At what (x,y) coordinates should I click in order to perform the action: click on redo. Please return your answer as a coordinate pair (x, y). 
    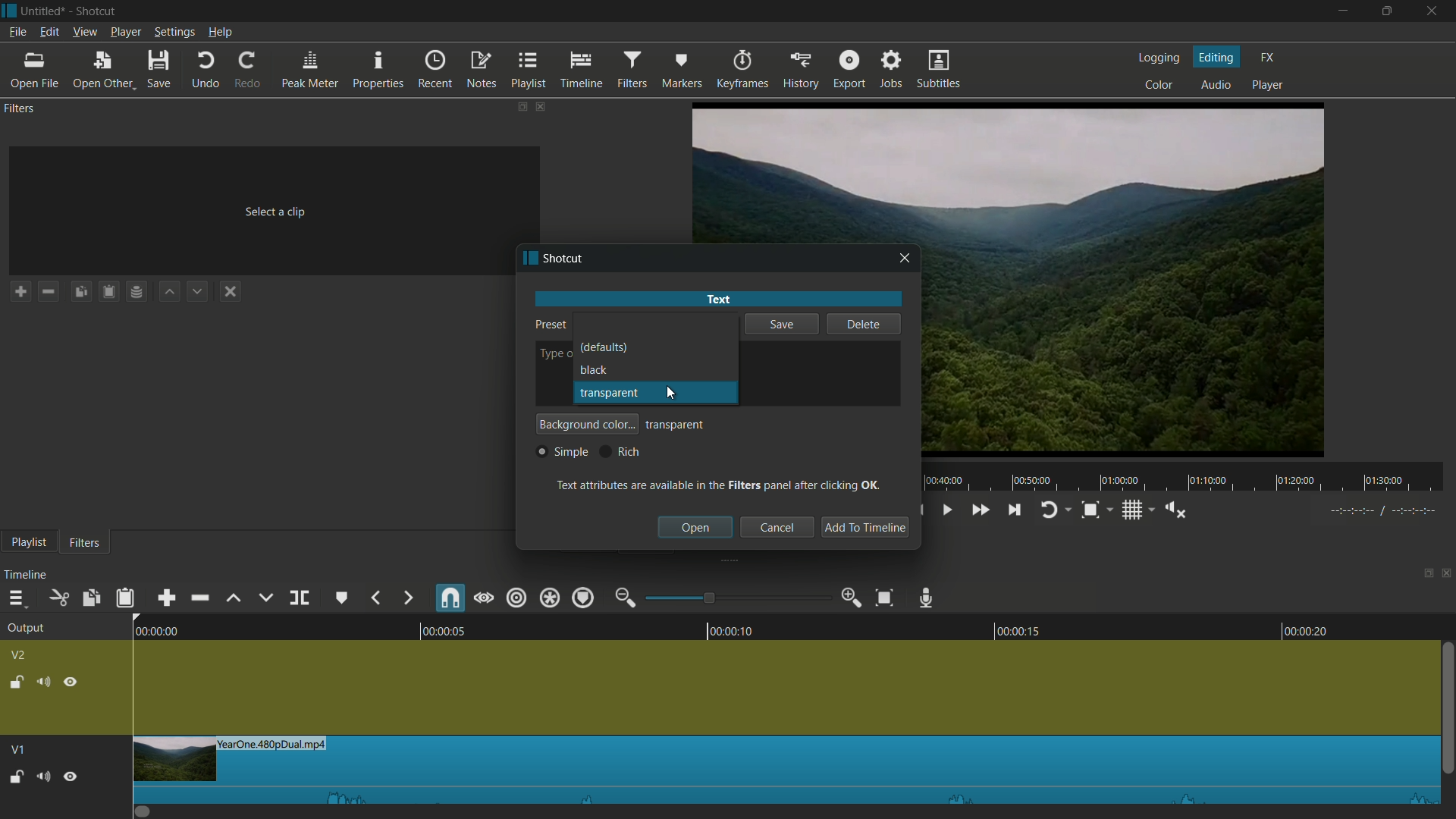
    Looking at the image, I should click on (249, 70).